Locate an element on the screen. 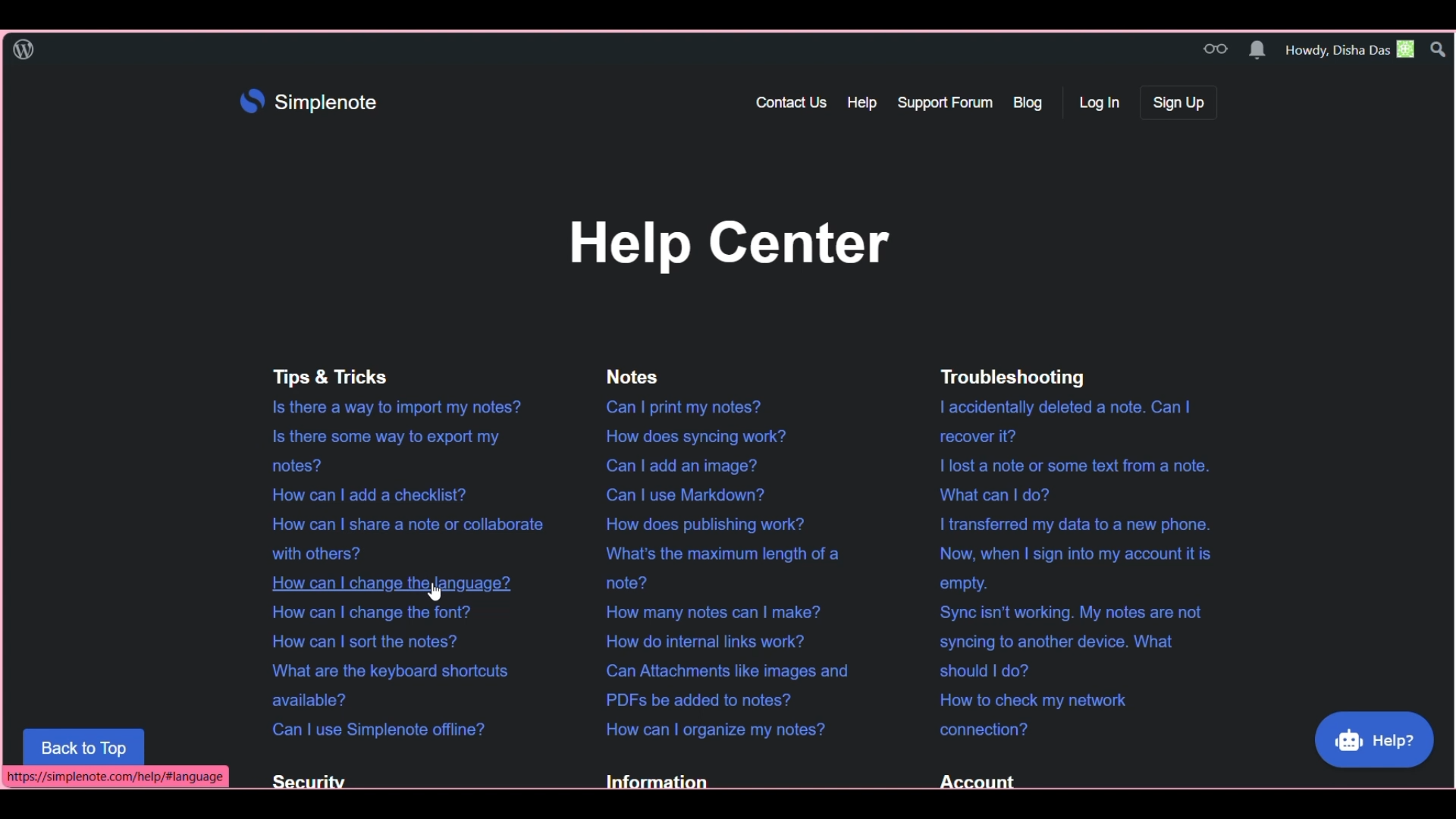 The width and height of the screenshot is (1456, 819). Can Attachments like images and PDFs be added to notes? is located at coordinates (720, 685).